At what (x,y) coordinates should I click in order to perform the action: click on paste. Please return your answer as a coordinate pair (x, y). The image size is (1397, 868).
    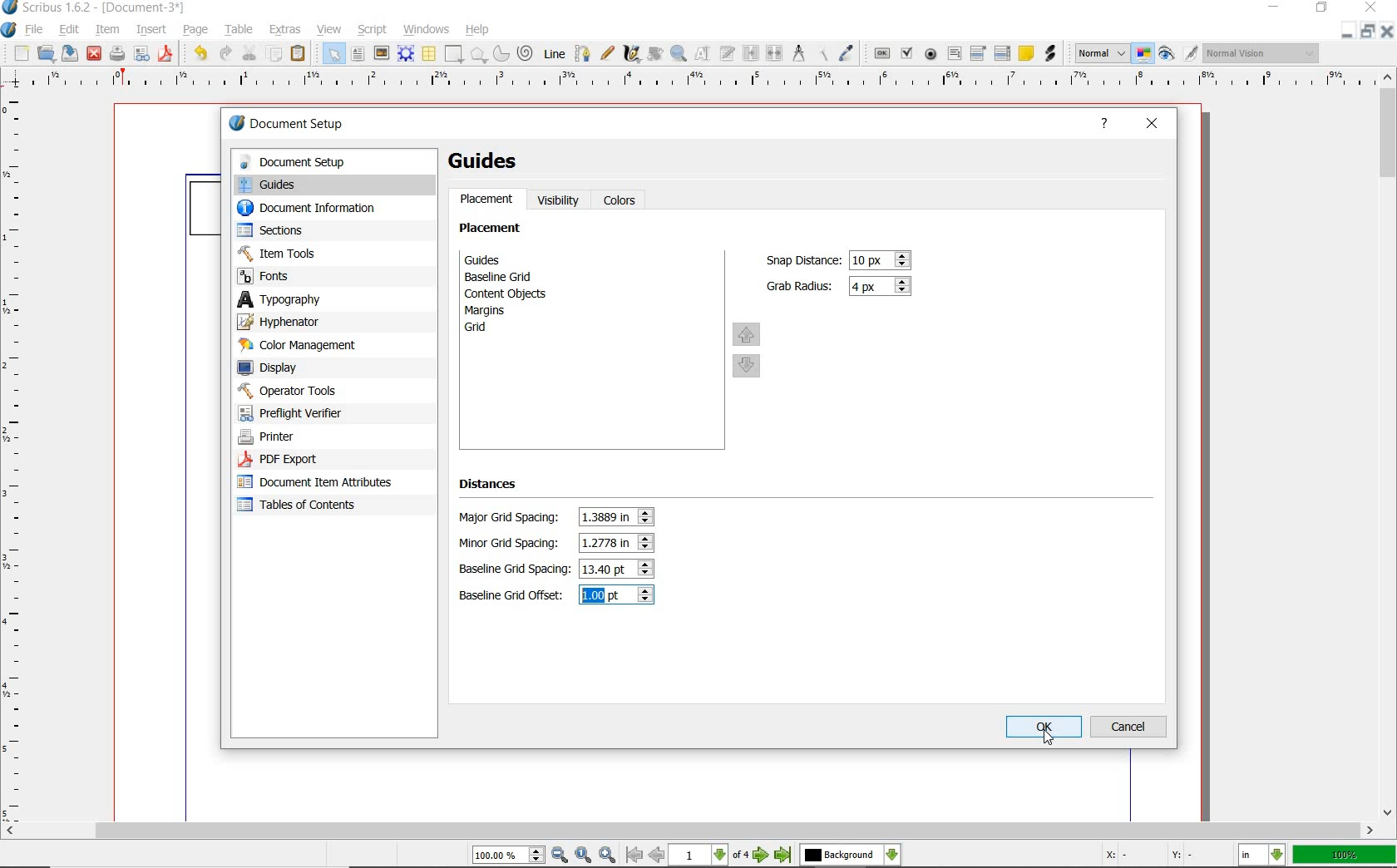
    Looking at the image, I should click on (301, 55).